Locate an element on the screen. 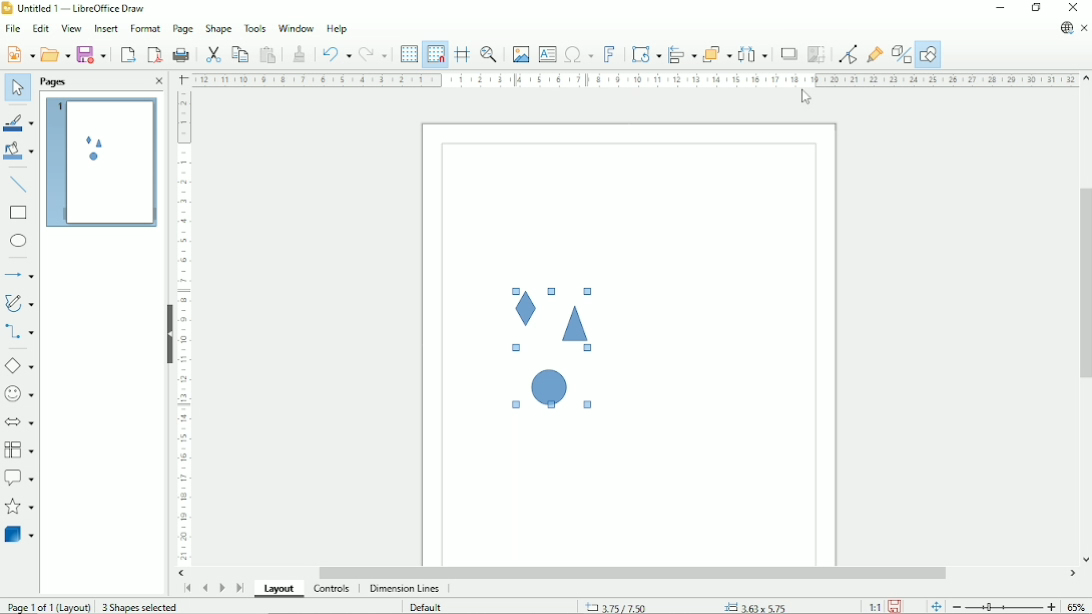  Callout is located at coordinates (19, 478).